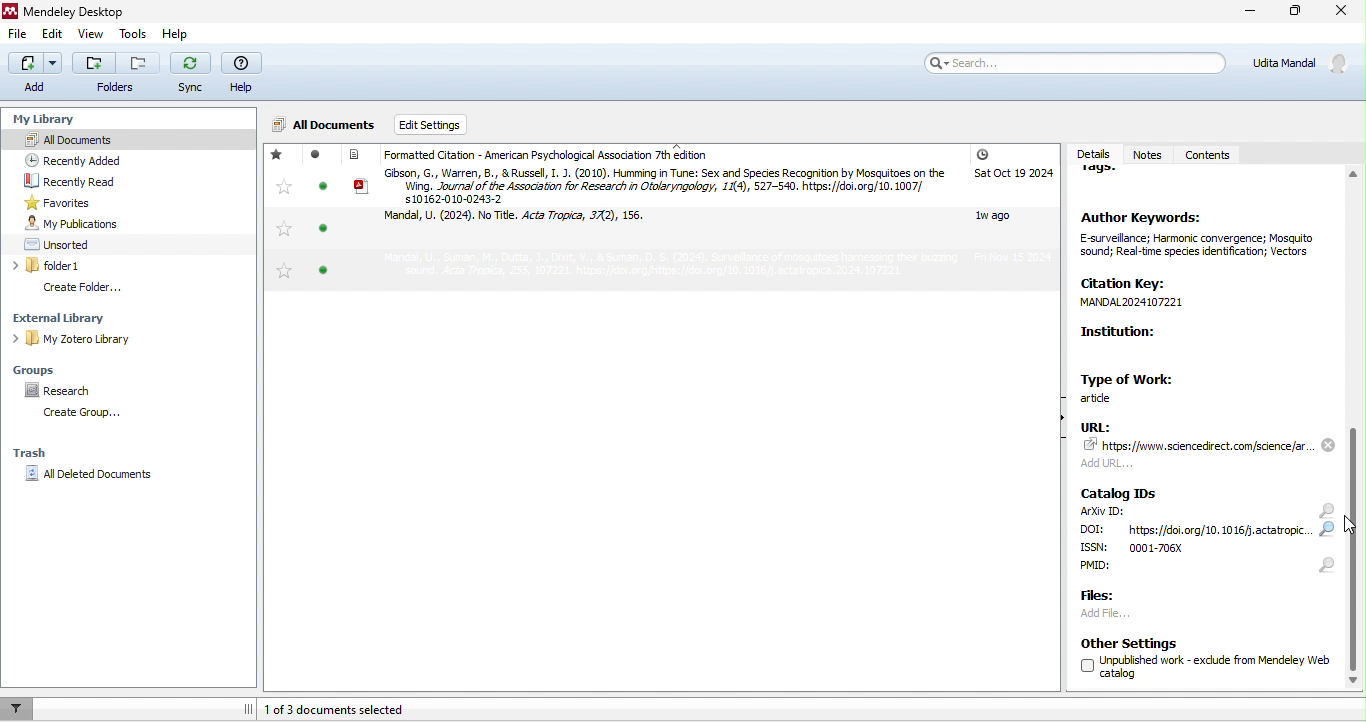 This screenshot has width=1366, height=722. What do you see at coordinates (100, 477) in the screenshot?
I see `all deleted documents` at bounding box center [100, 477].